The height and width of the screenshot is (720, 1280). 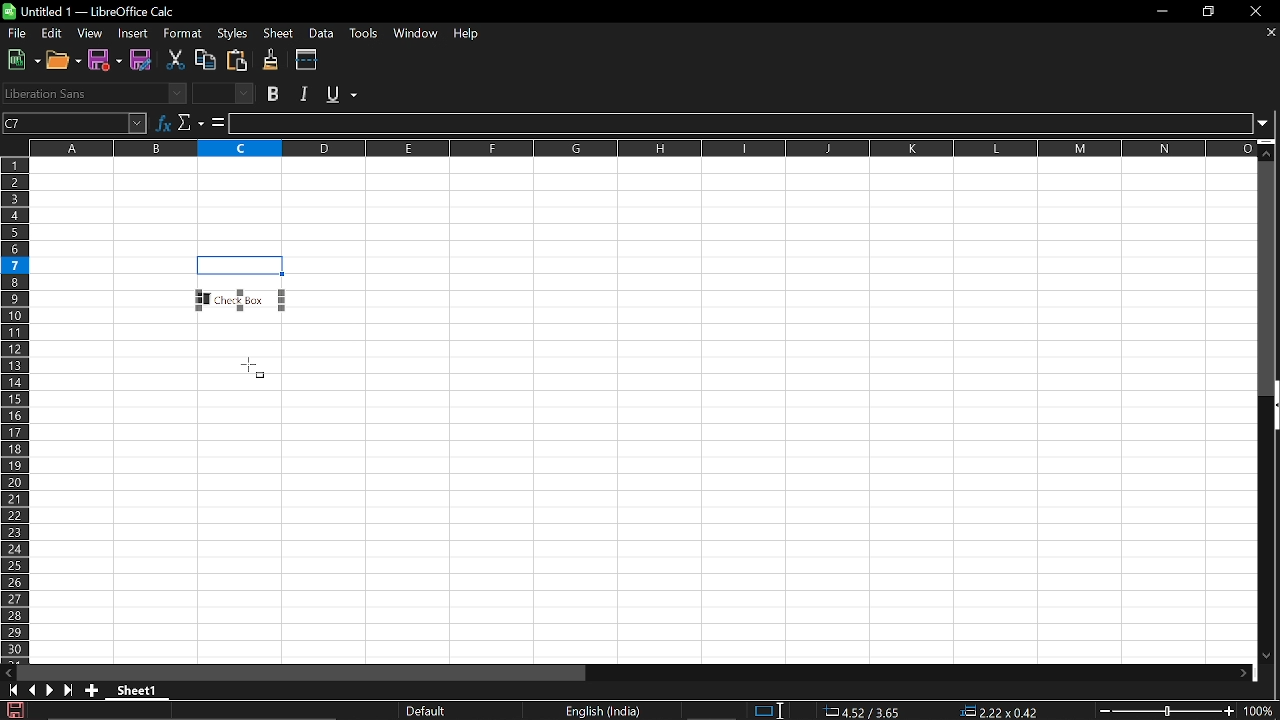 I want to click on Styles, so click(x=235, y=32).